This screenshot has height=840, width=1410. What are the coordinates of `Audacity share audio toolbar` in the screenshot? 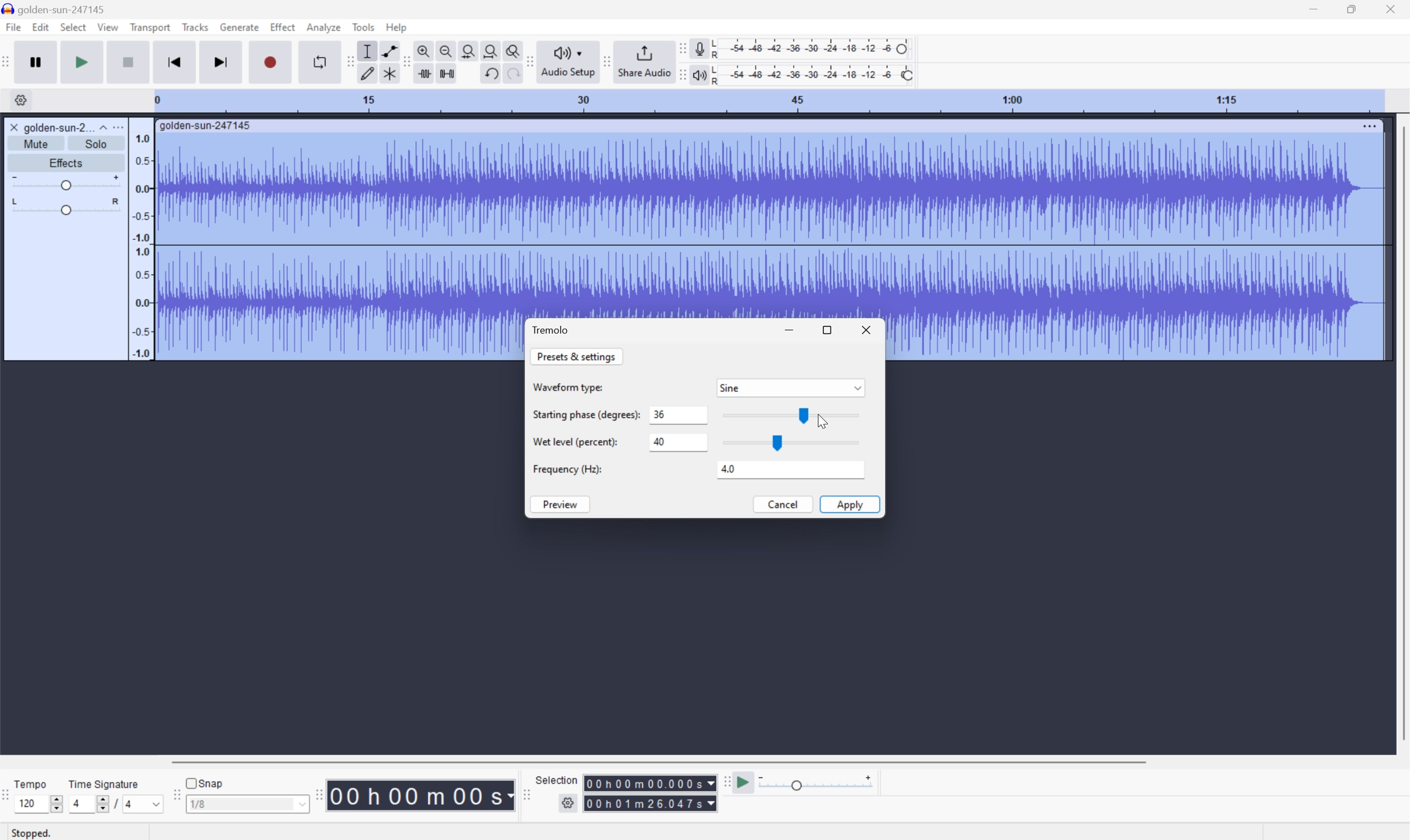 It's located at (607, 62).